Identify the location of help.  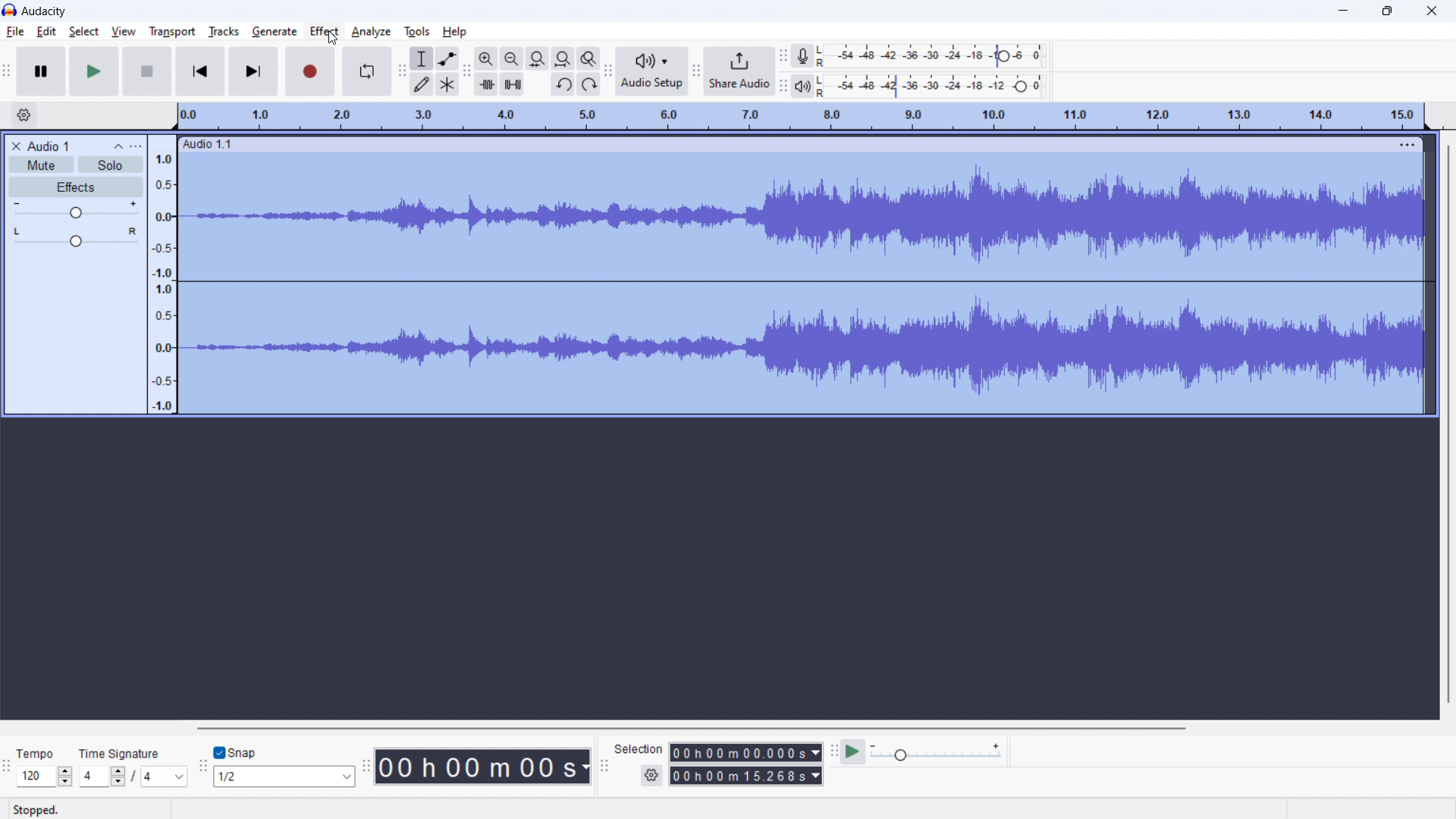
(455, 32).